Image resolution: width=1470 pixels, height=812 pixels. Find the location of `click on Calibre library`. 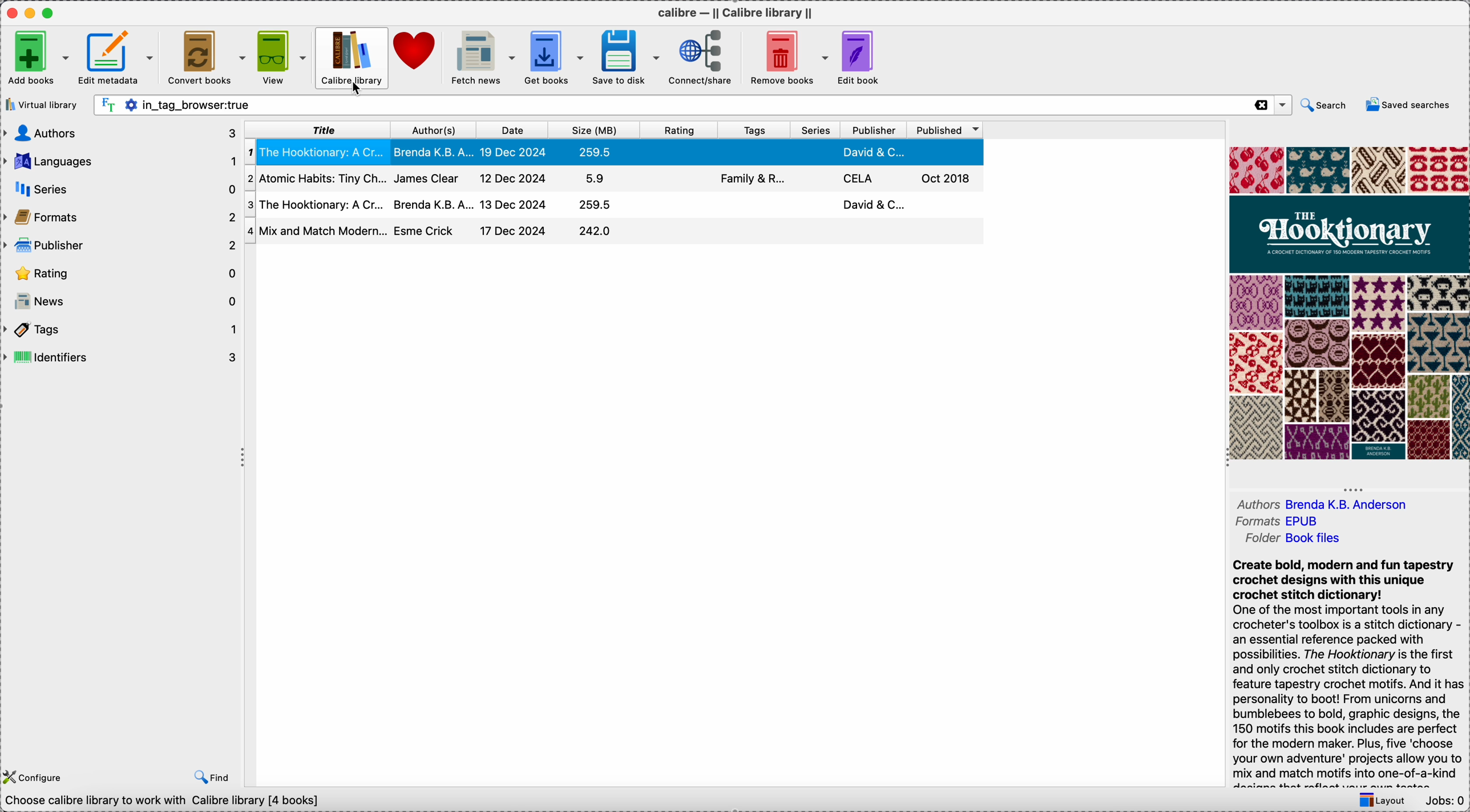

click on Calibre library is located at coordinates (350, 58).